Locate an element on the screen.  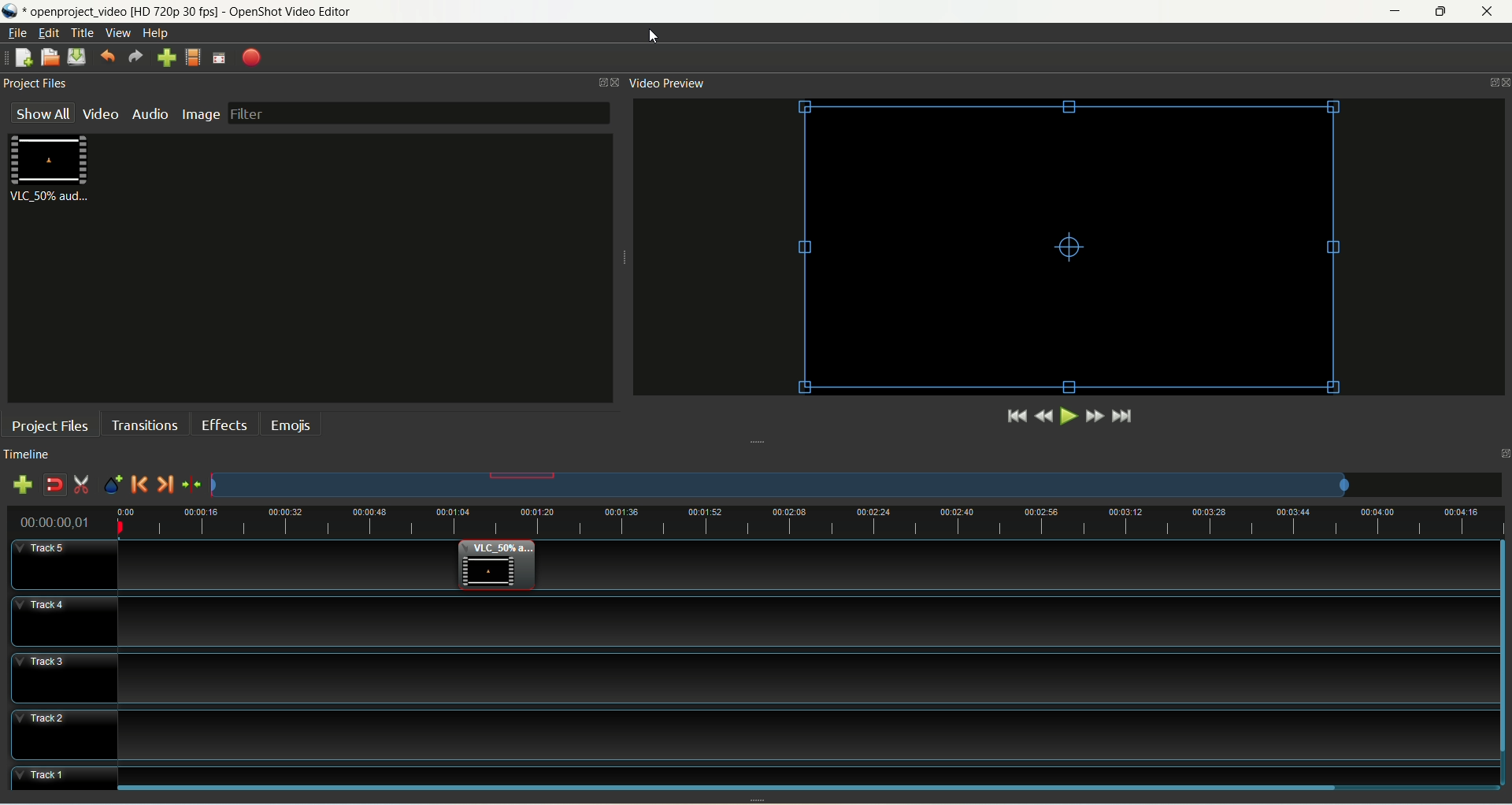
timeline is located at coordinates (31, 454).